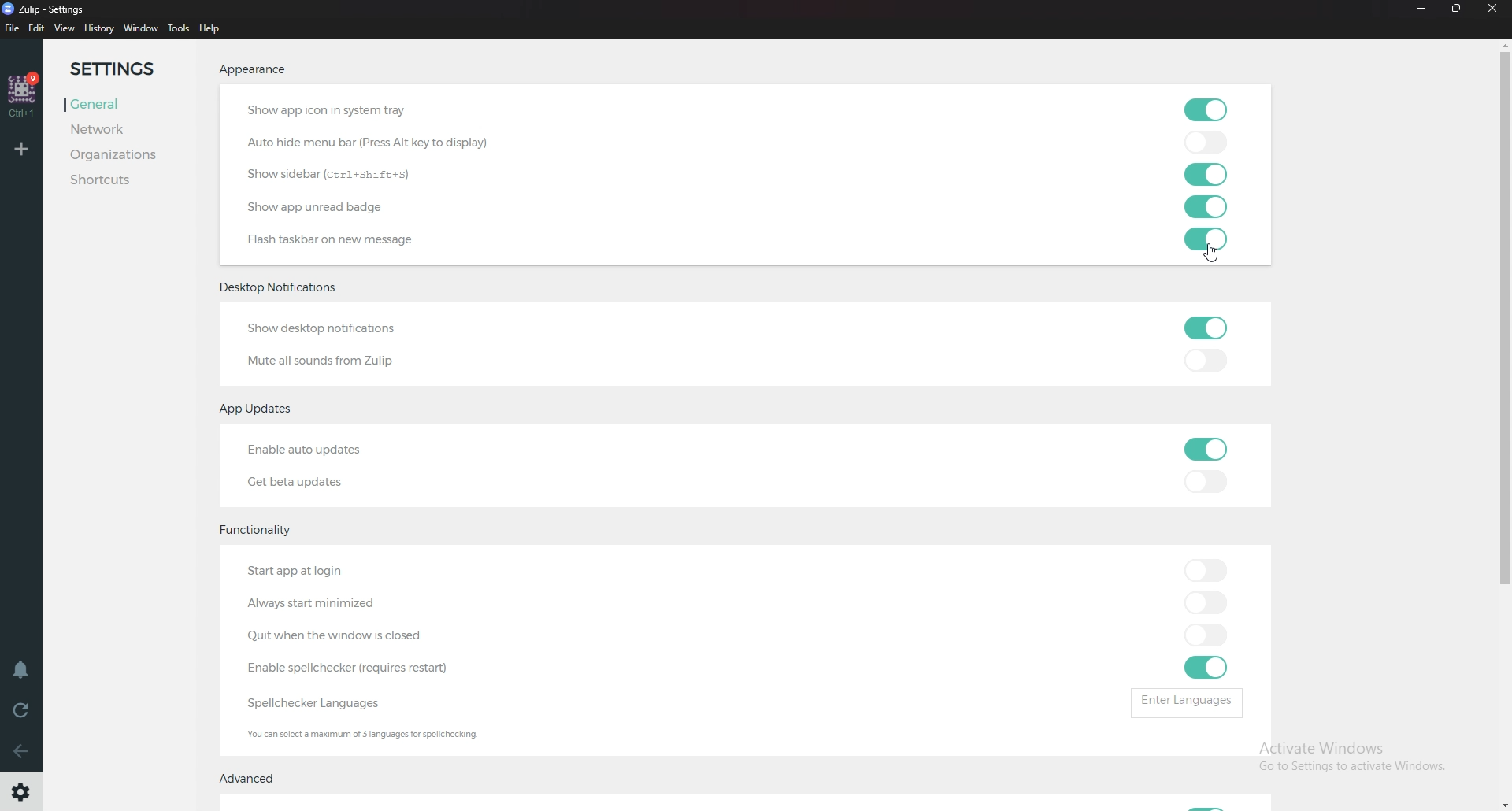 This screenshot has width=1512, height=811. I want to click on Show app icon in system tray, so click(363, 112).